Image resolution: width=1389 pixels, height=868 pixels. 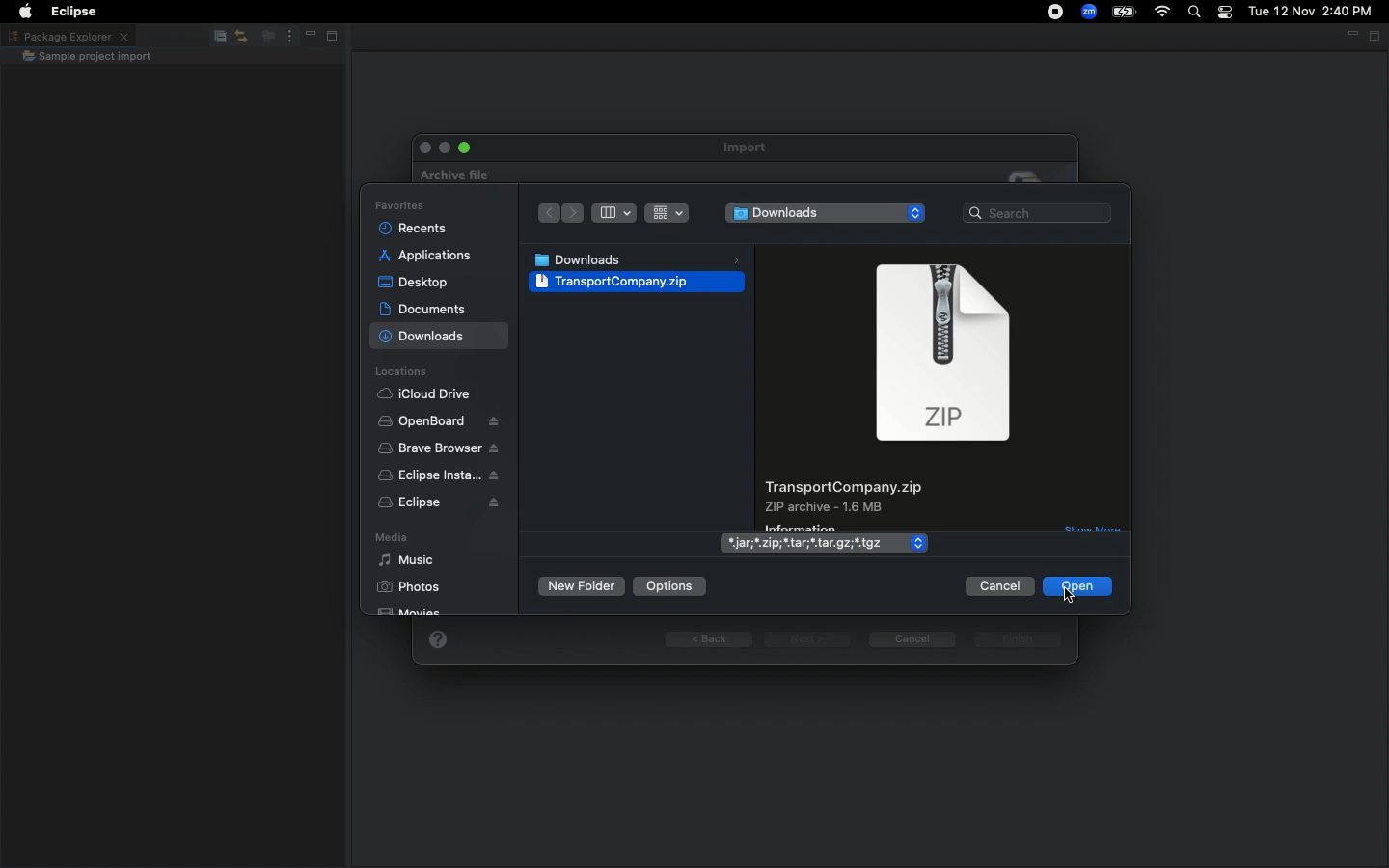 What do you see at coordinates (464, 146) in the screenshot?
I see `maximize` at bounding box center [464, 146].